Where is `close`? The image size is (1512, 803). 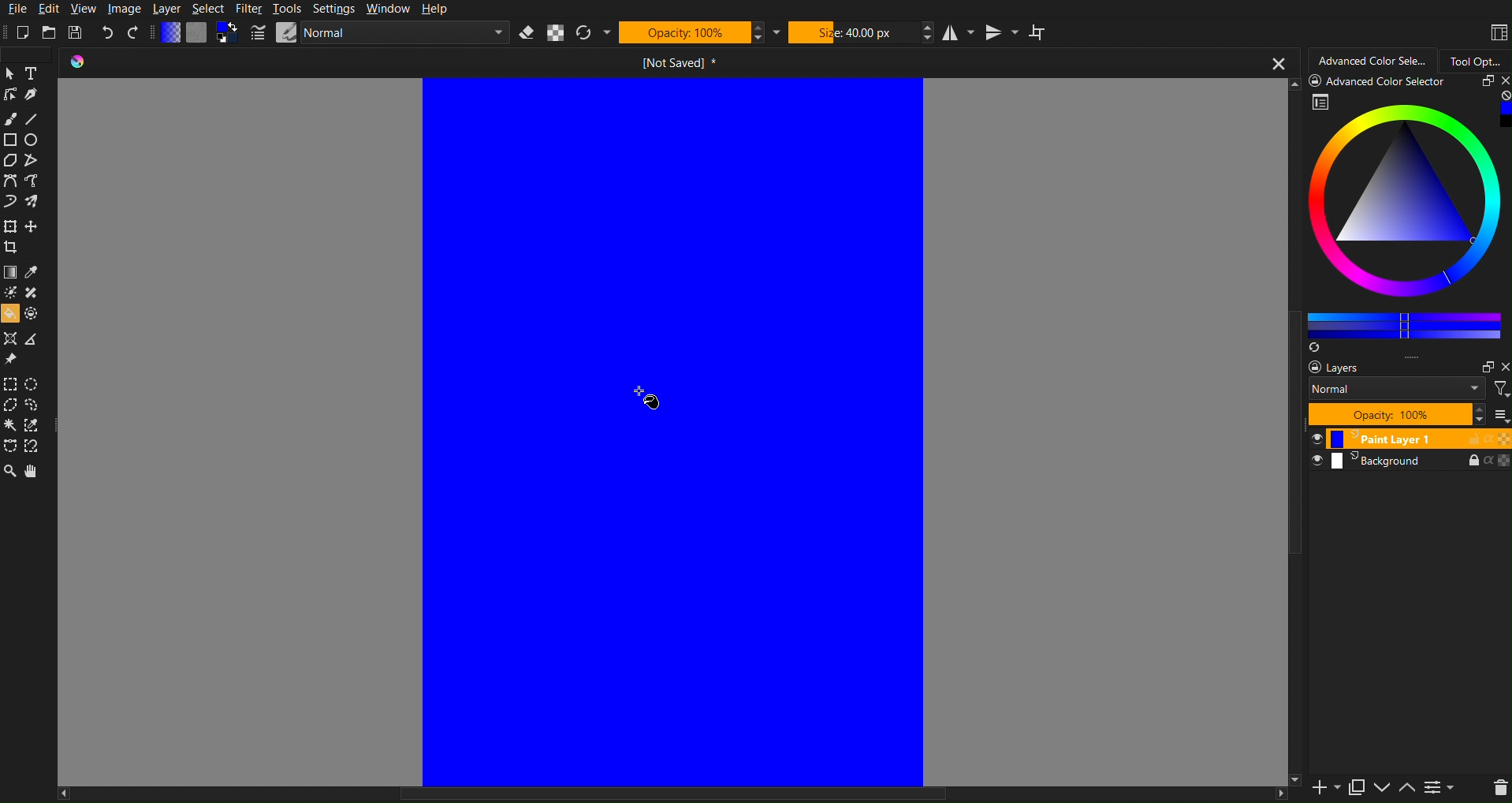
close is located at coordinates (1500, 80).